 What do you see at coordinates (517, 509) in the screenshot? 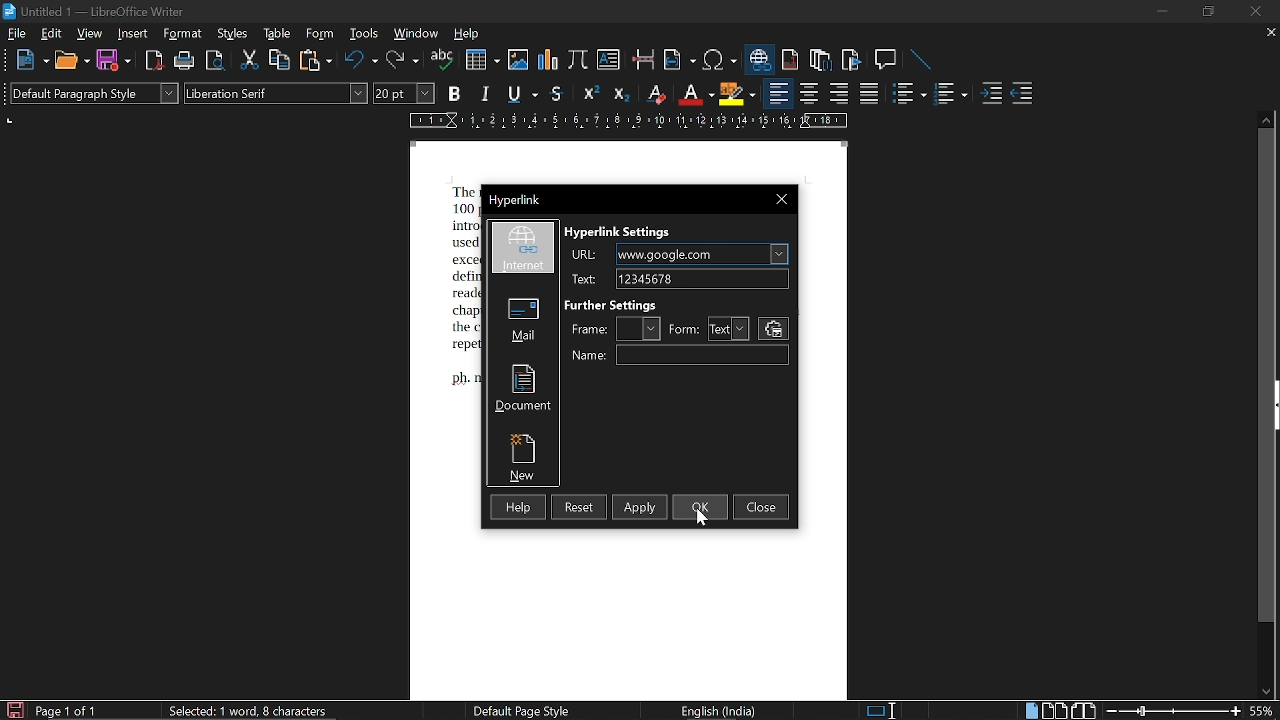
I see `help` at bounding box center [517, 509].